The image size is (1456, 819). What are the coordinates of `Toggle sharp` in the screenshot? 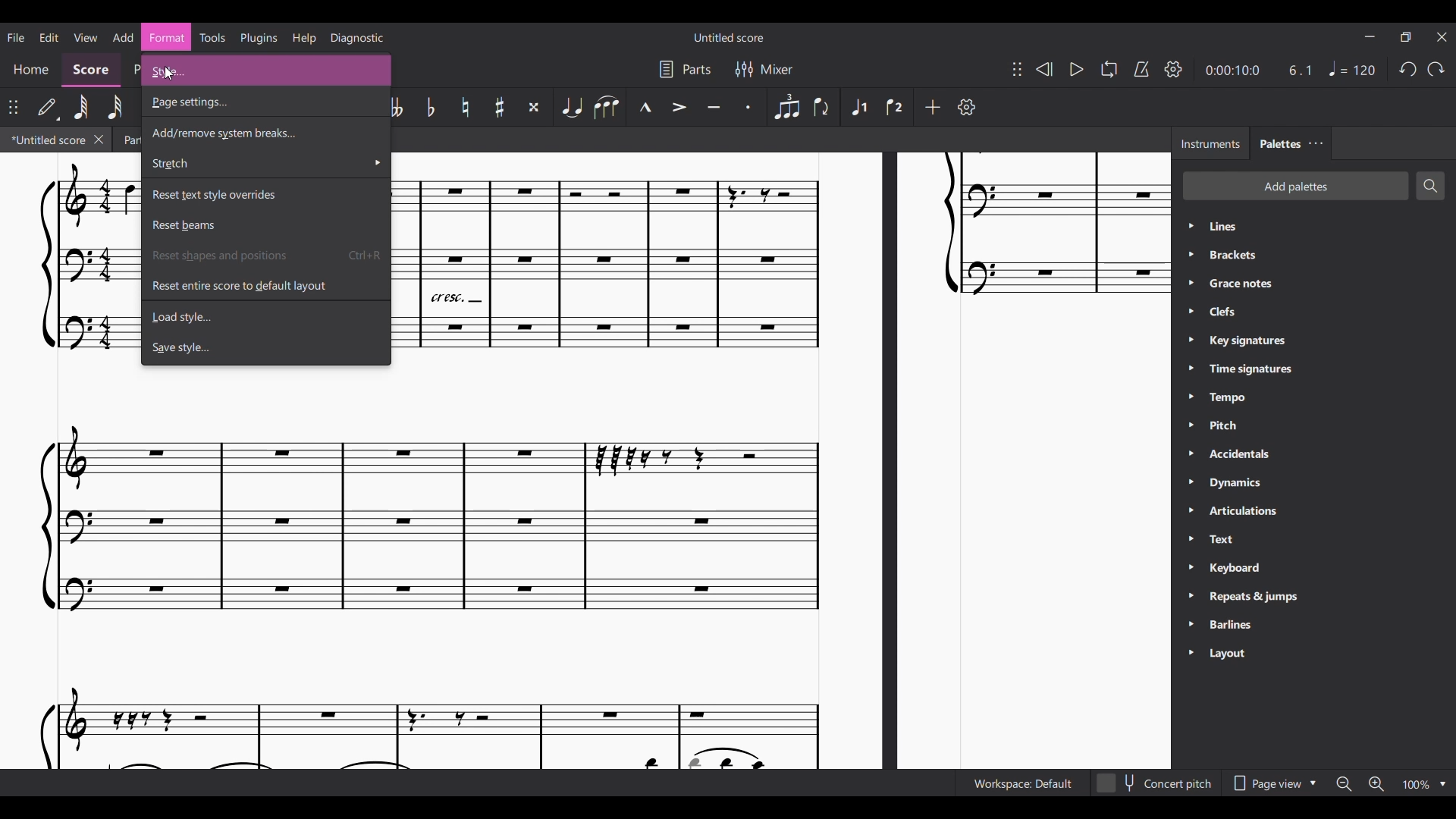 It's located at (500, 107).